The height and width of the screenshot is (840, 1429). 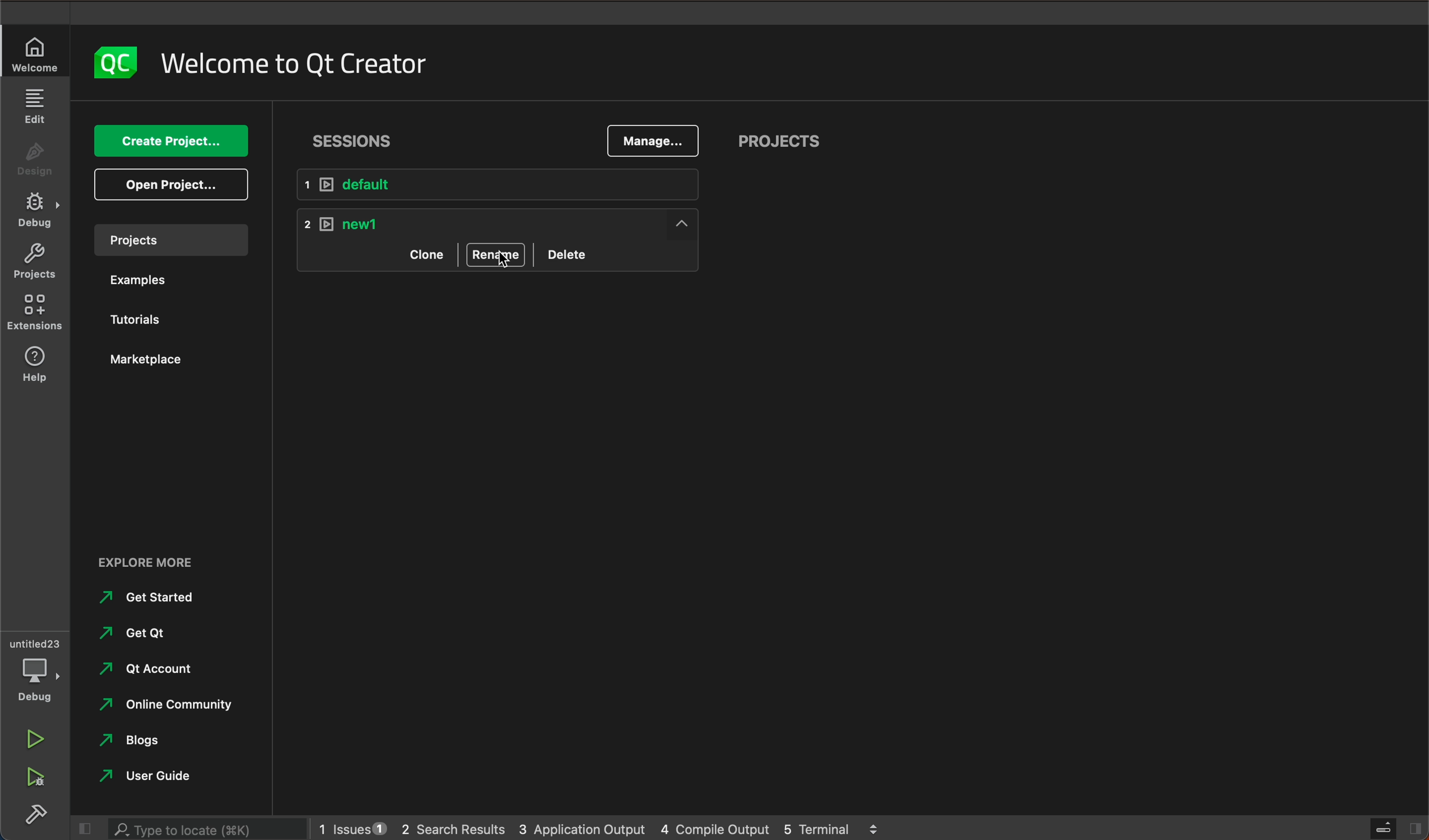 What do you see at coordinates (108, 63) in the screenshot?
I see `logo` at bounding box center [108, 63].